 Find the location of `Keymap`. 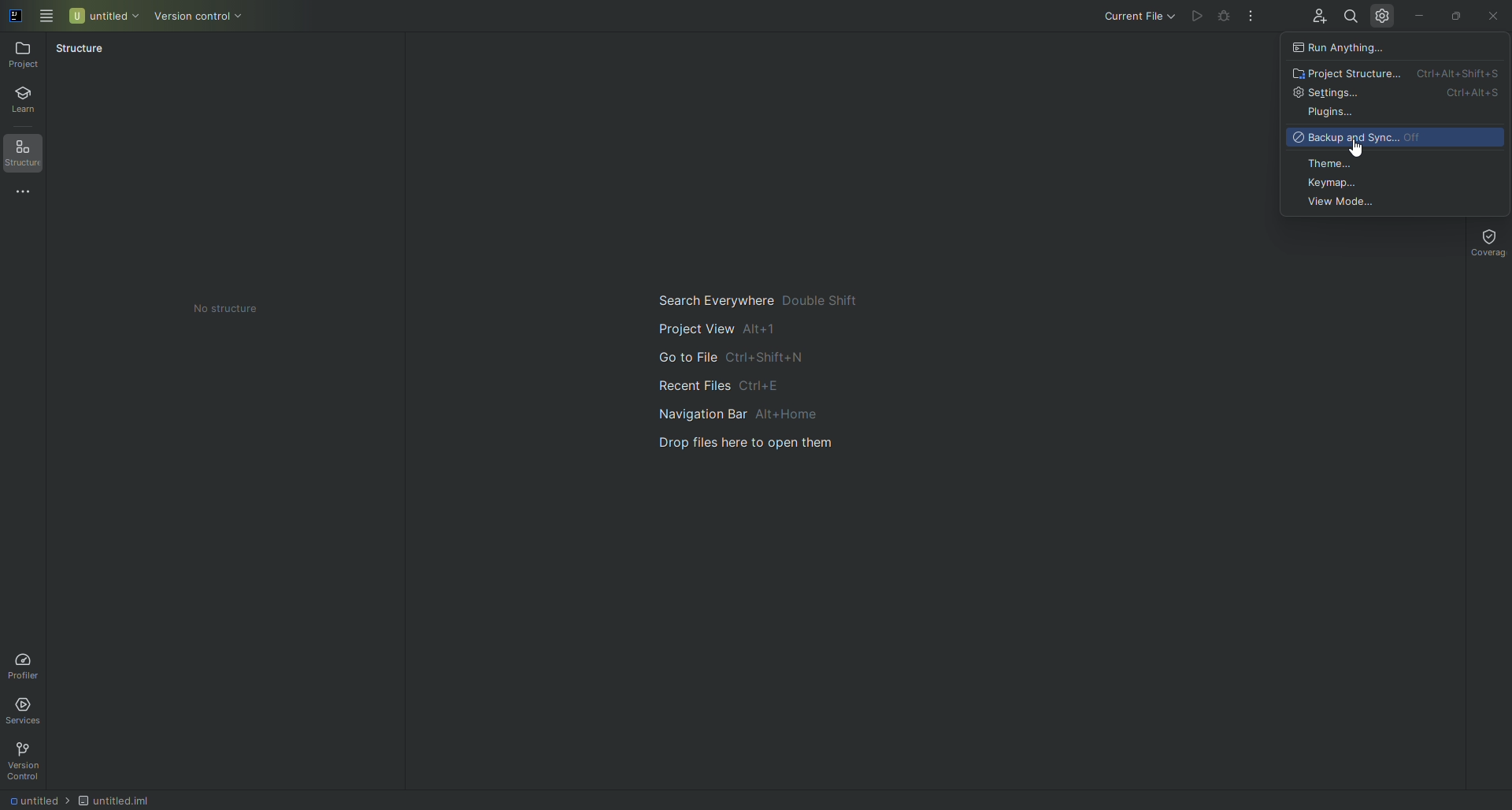

Keymap is located at coordinates (1336, 182).